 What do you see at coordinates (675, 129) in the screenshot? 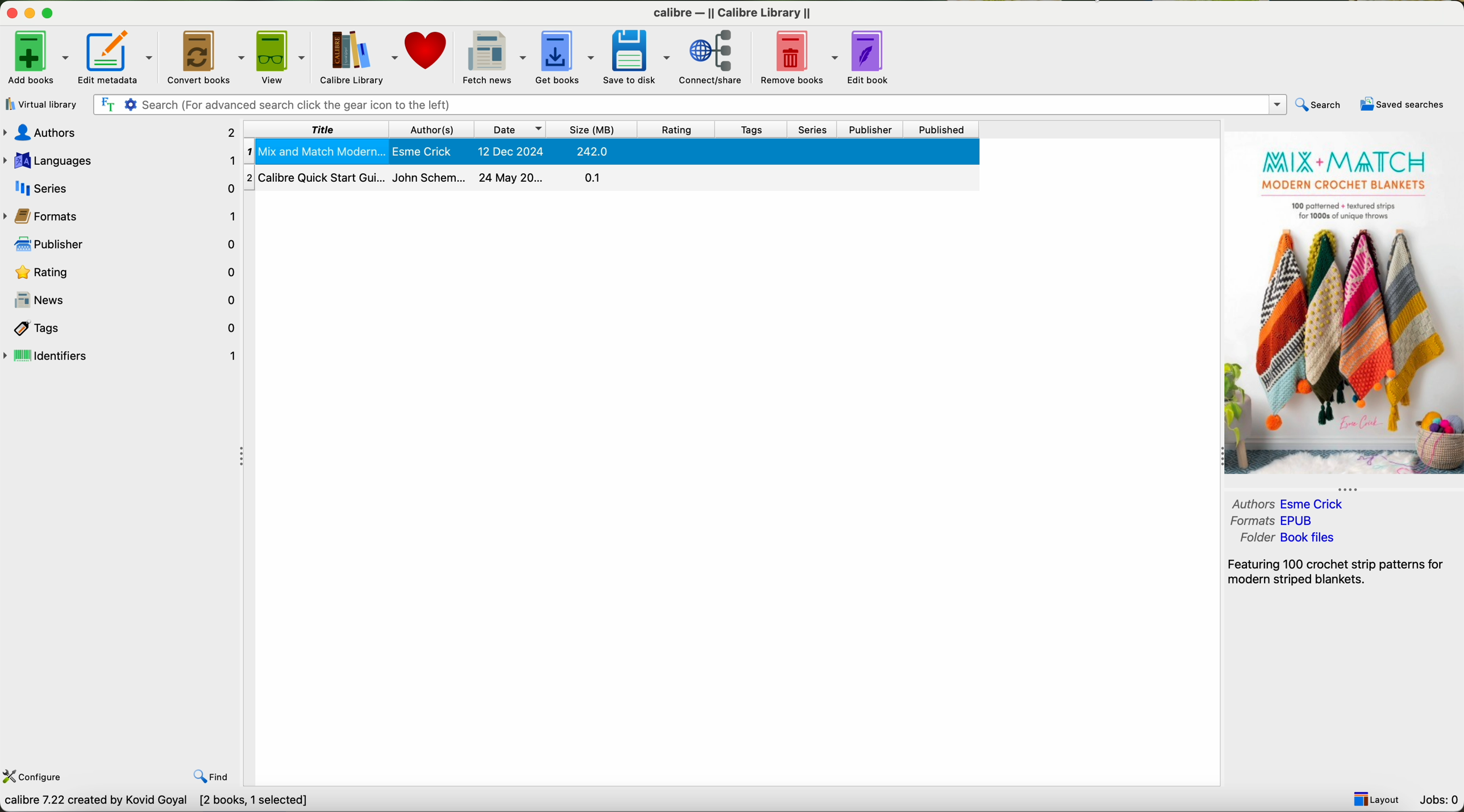
I see `rating` at bounding box center [675, 129].